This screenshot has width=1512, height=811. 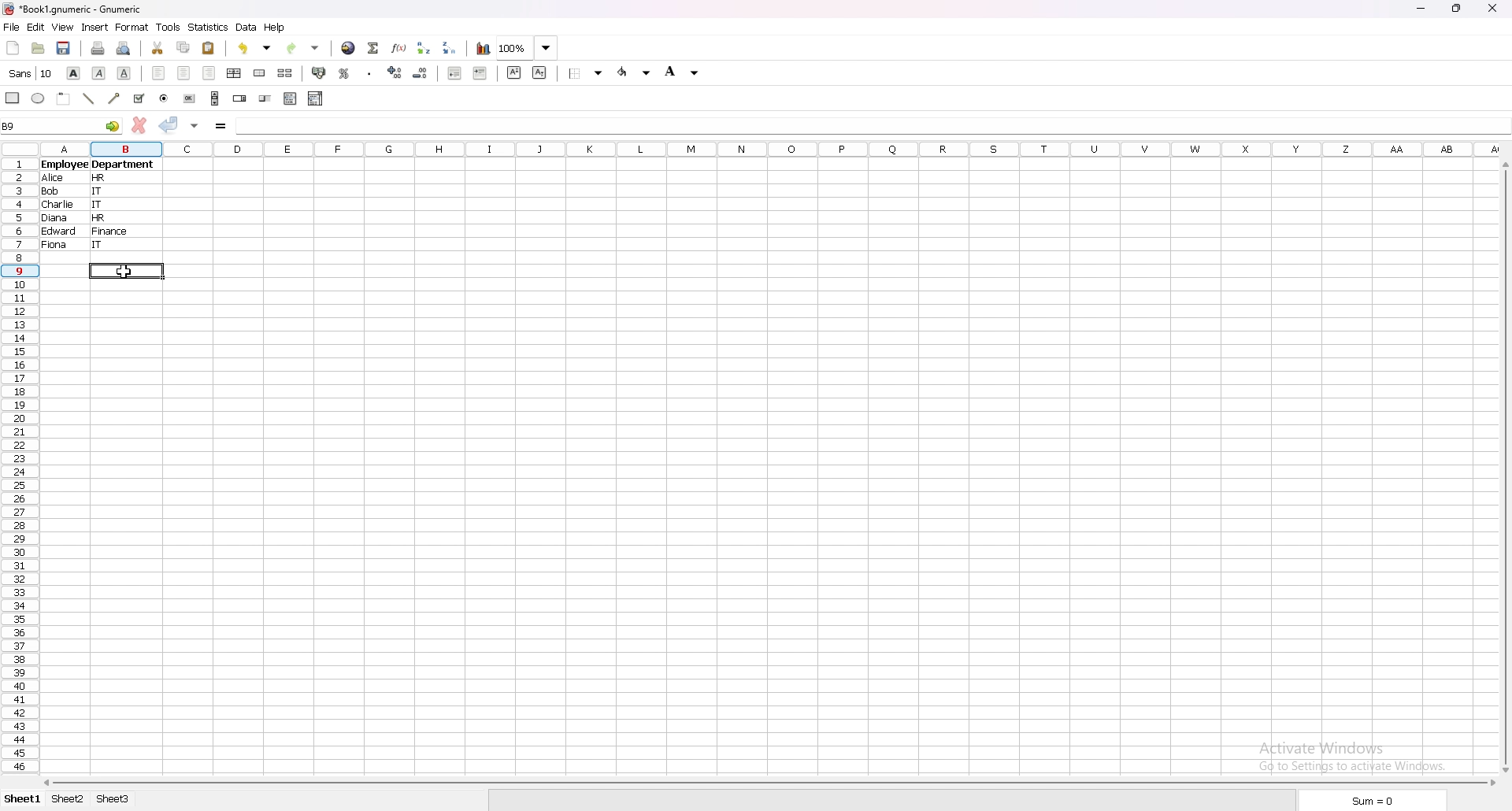 I want to click on data, so click(x=248, y=27).